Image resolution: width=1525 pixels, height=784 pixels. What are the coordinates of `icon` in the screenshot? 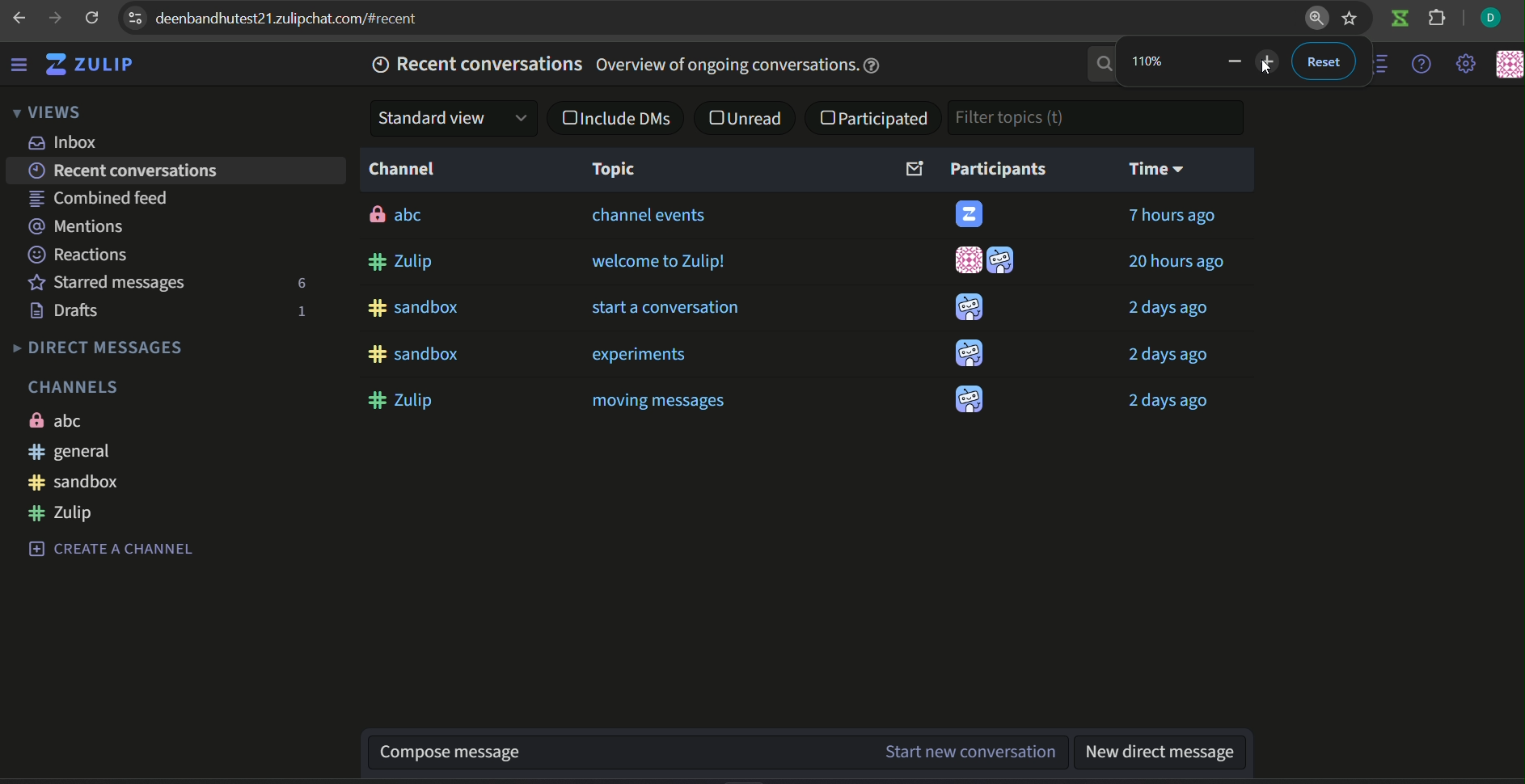 It's located at (970, 213).